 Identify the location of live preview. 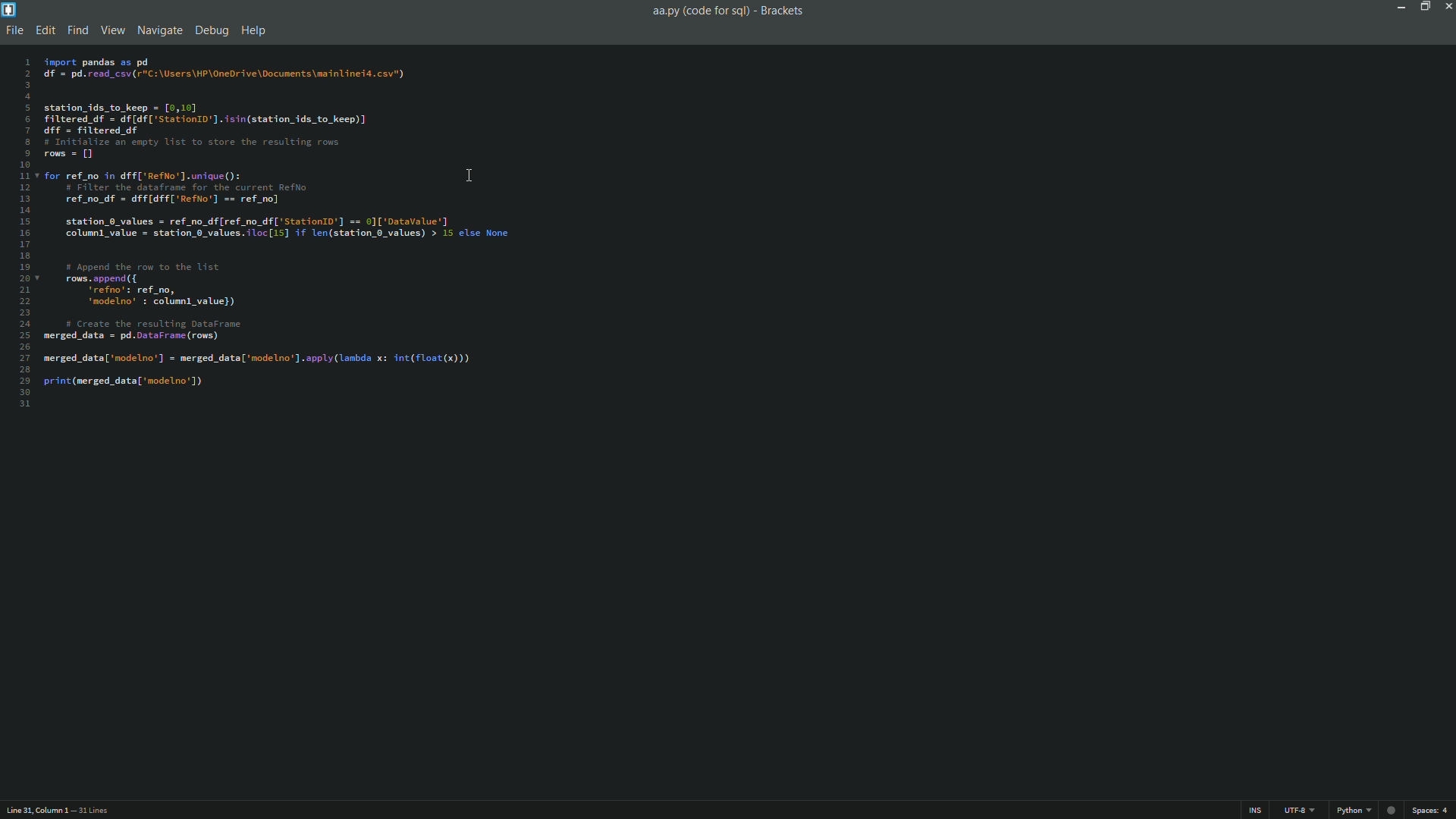
(1443, 62).